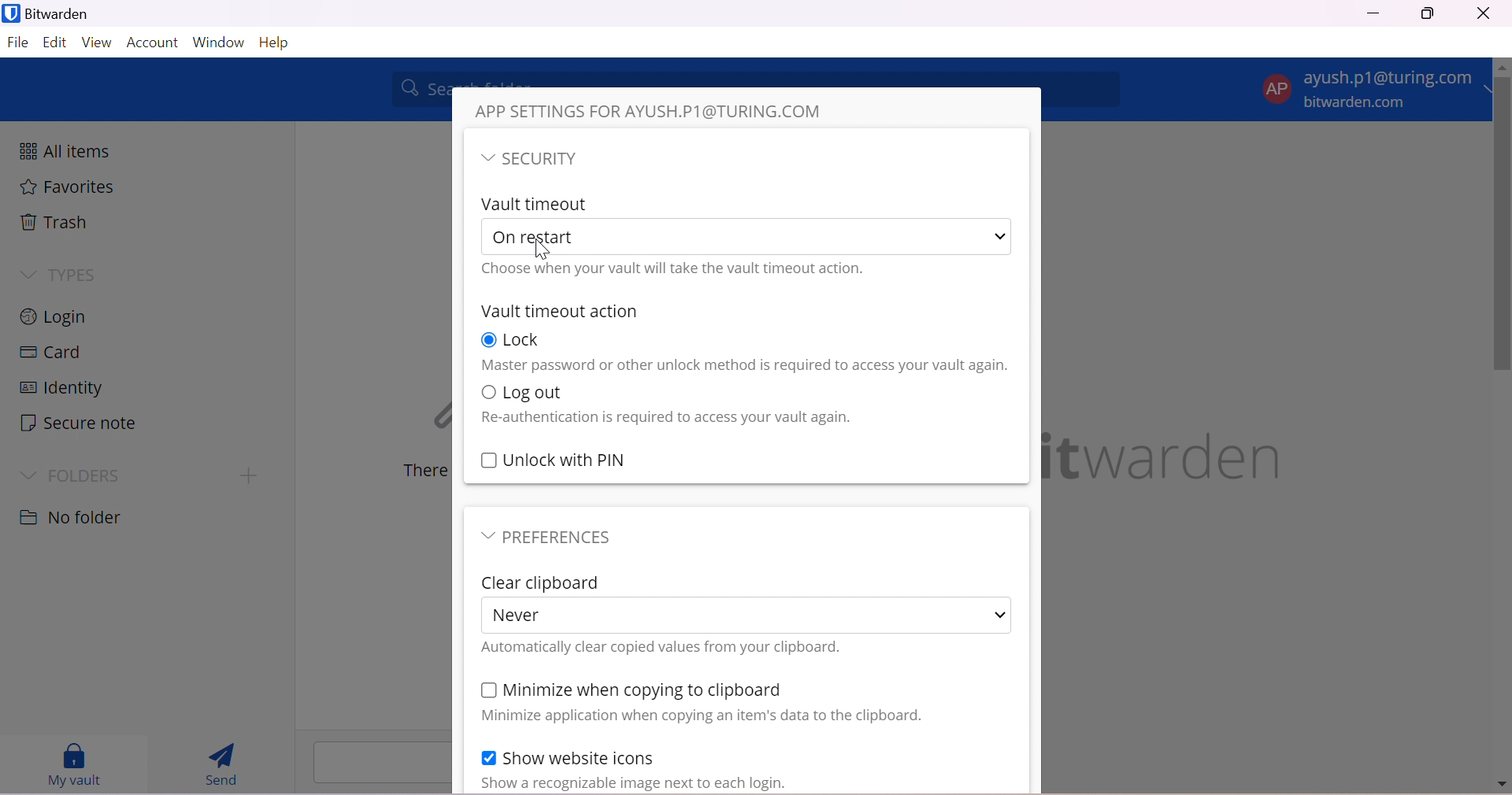 This screenshot has height=795, width=1512. I want to click on Vault timeout, so click(536, 205).